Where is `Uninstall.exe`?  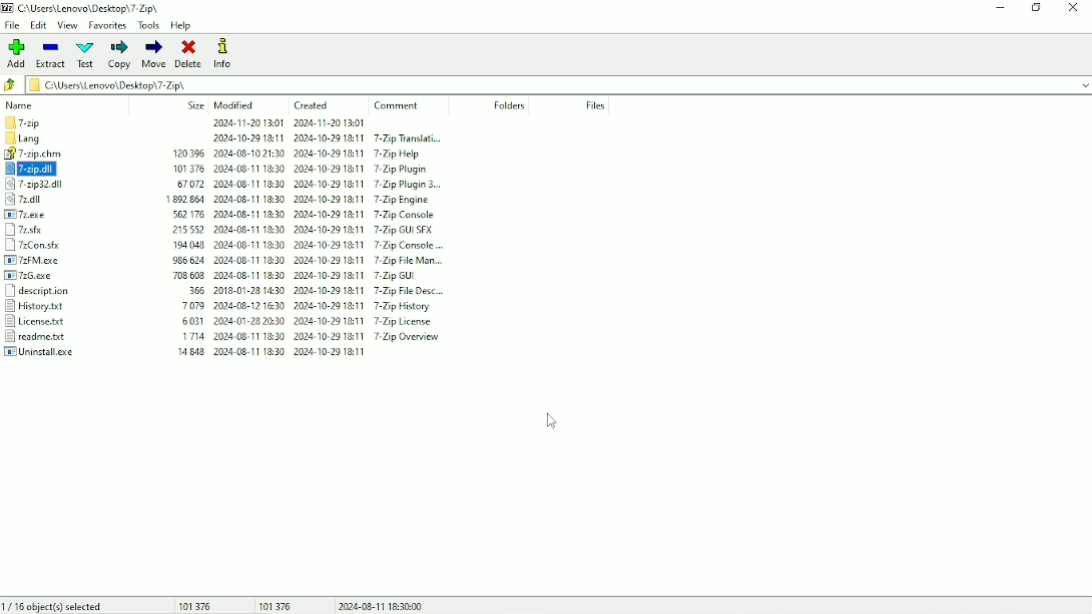 Uninstall.exe is located at coordinates (41, 353).